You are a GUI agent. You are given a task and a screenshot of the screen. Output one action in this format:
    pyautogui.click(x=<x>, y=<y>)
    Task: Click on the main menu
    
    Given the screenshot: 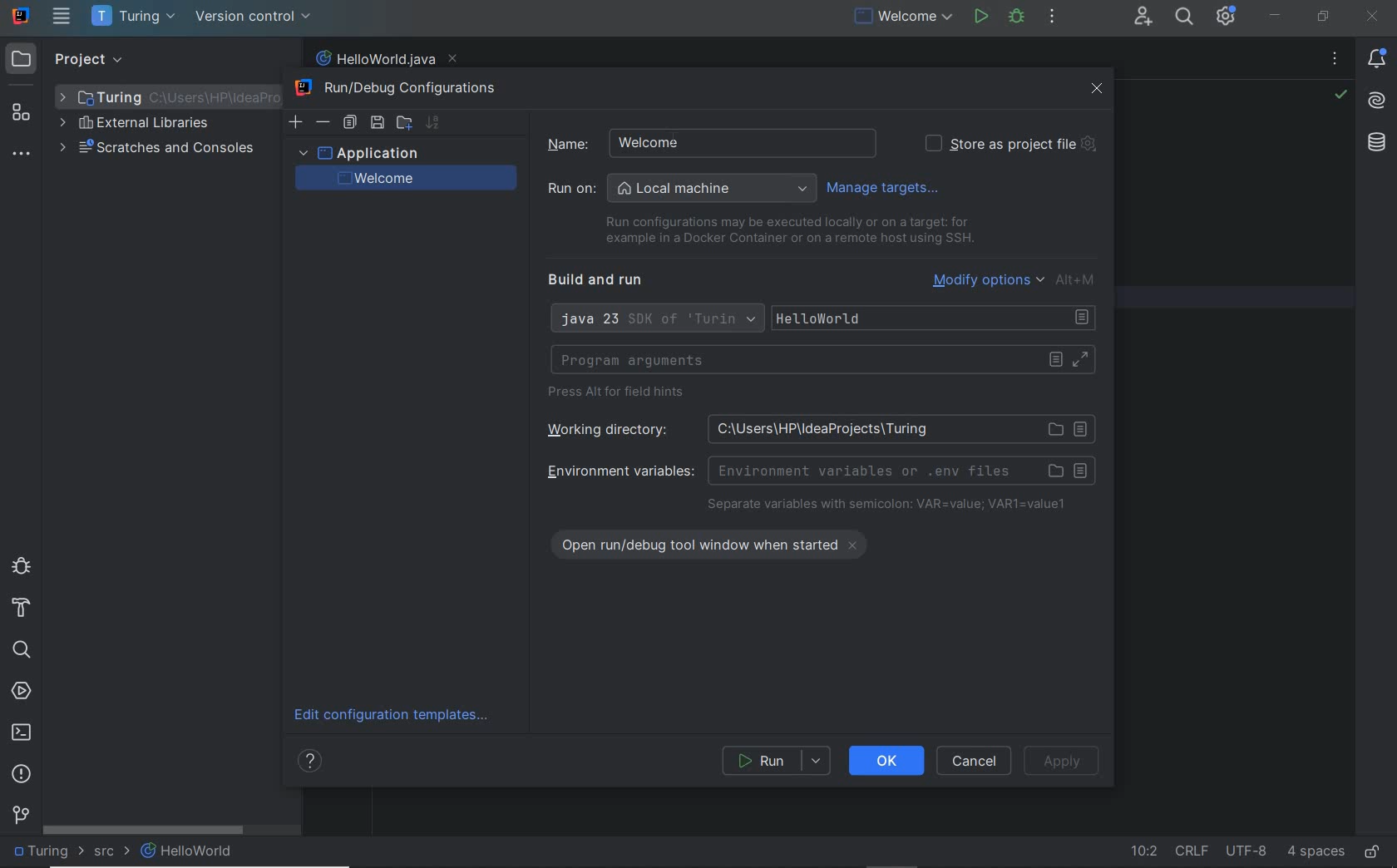 What is the action you would take?
    pyautogui.click(x=62, y=16)
    